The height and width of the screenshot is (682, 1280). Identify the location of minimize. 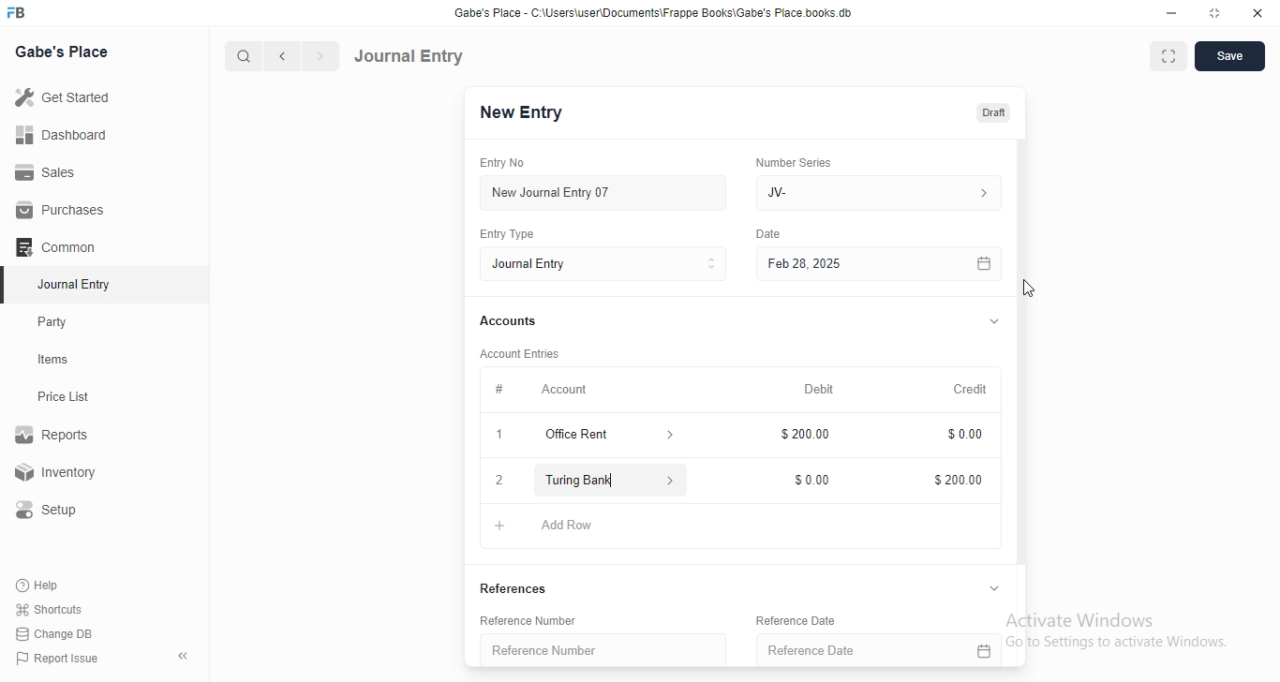
(1170, 12).